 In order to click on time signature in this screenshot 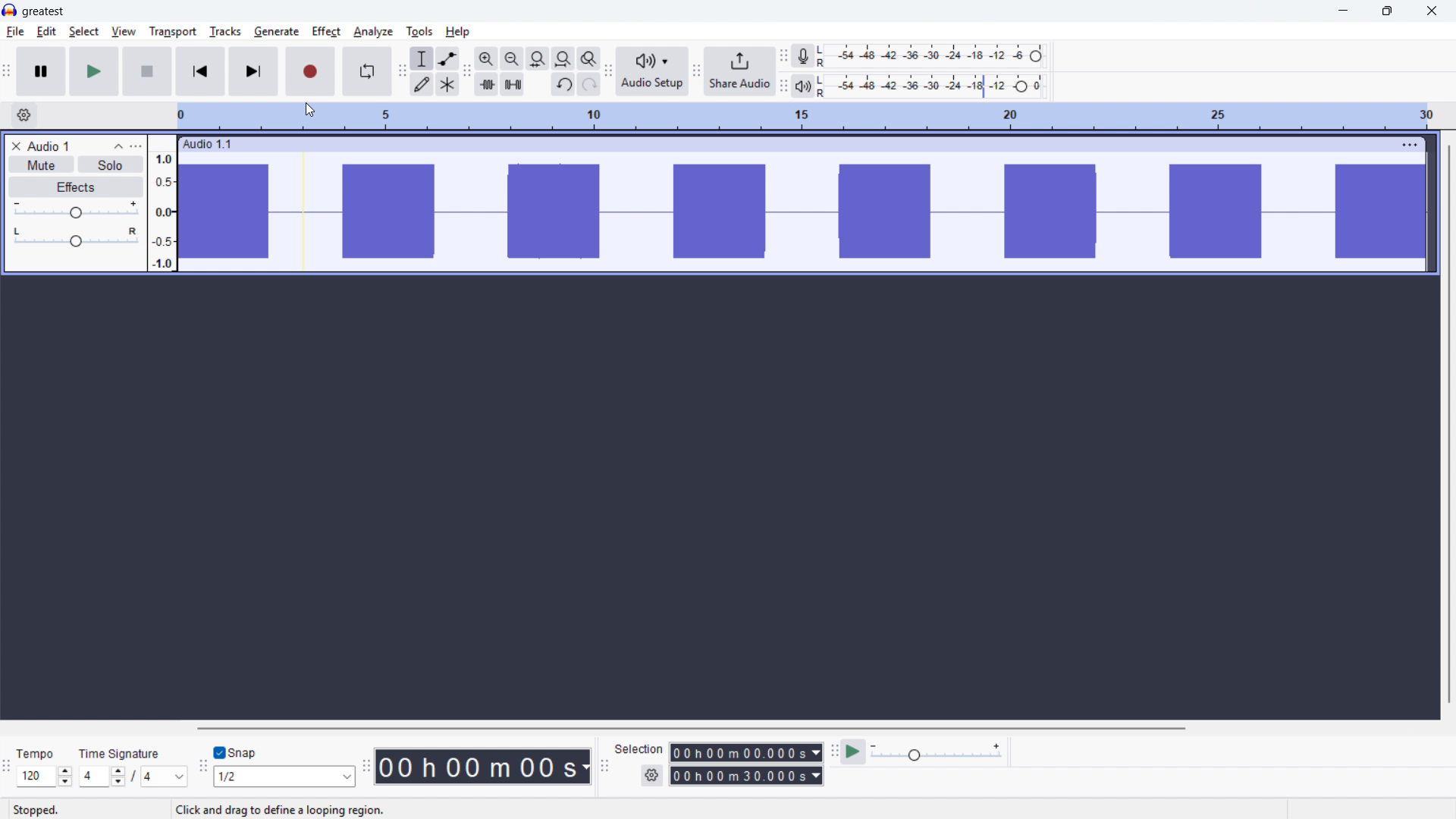, I will do `click(121, 753)`.